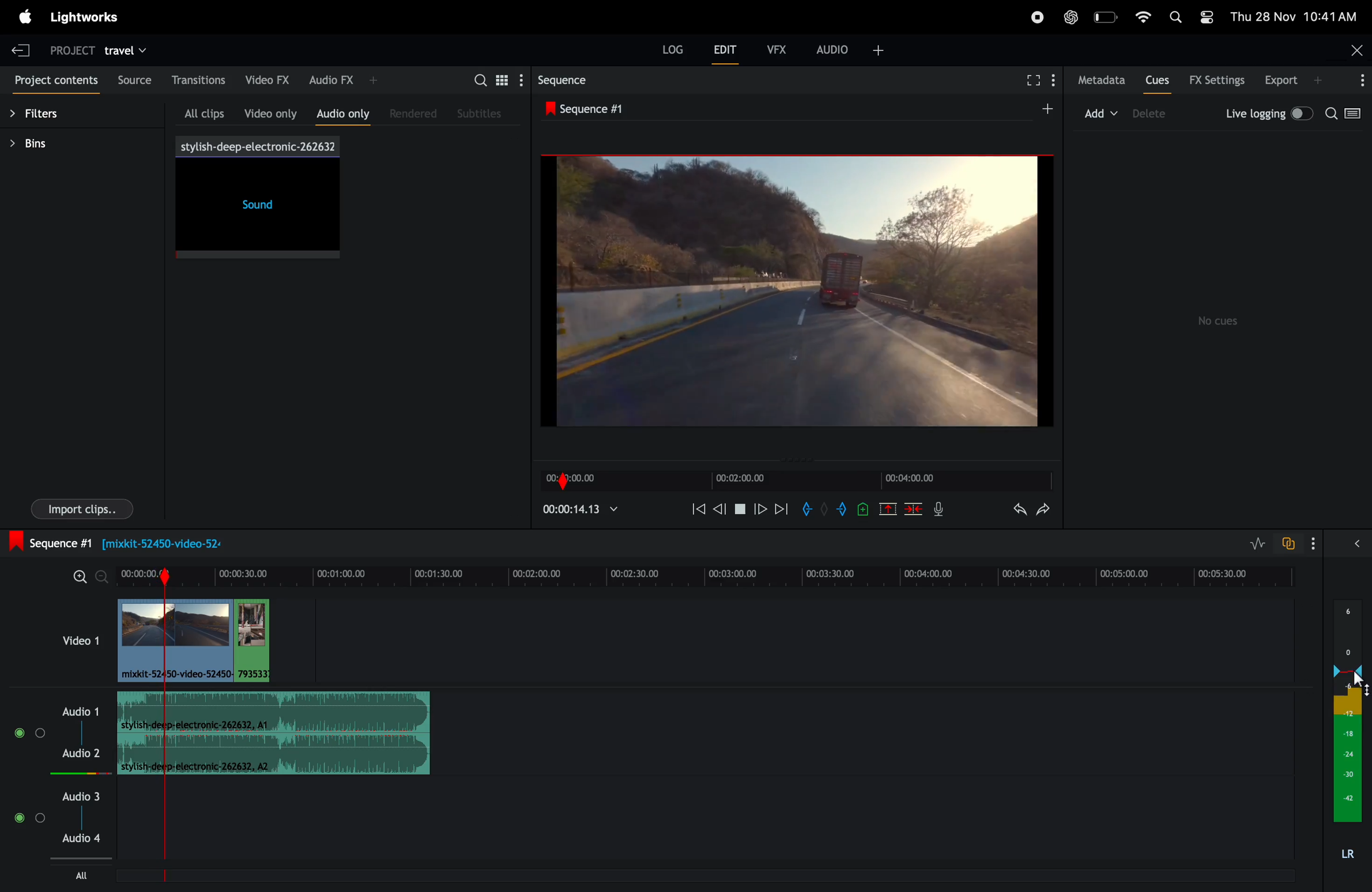 The width and height of the screenshot is (1372, 892). I want to click on LOG, so click(673, 49).